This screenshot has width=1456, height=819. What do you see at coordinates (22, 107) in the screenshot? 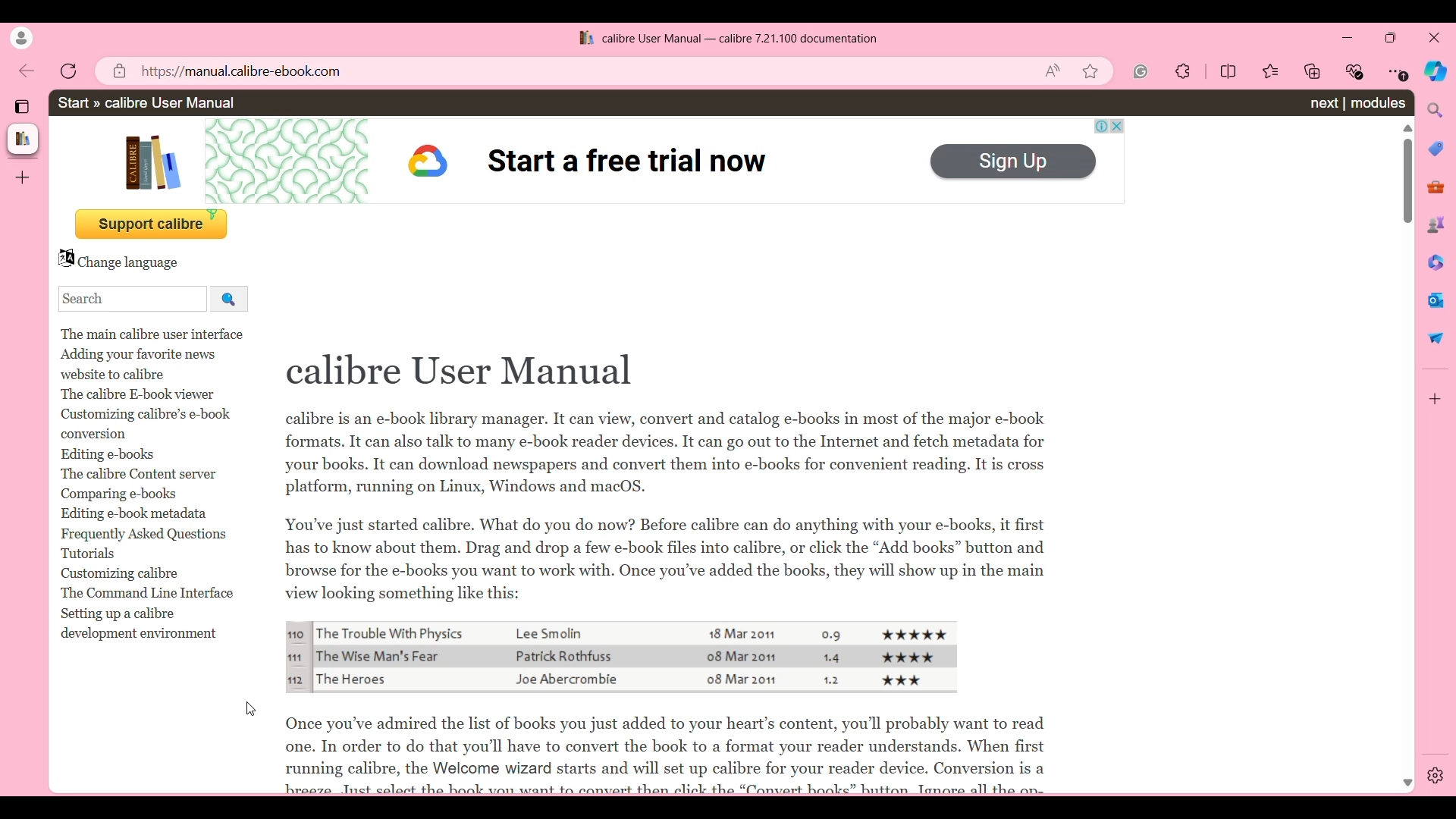
I see `Tab actions menu` at bounding box center [22, 107].